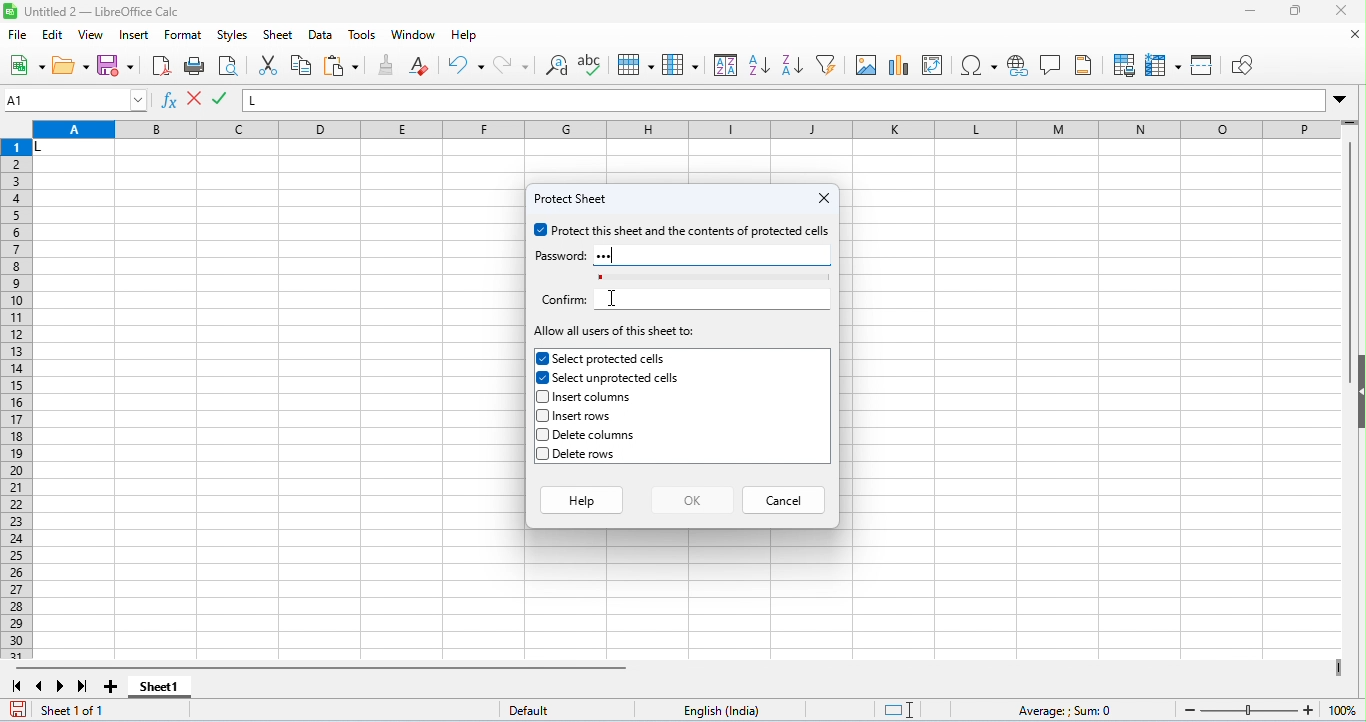 This screenshot has width=1366, height=722. What do you see at coordinates (1126, 65) in the screenshot?
I see `define print preview` at bounding box center [1126, 65].